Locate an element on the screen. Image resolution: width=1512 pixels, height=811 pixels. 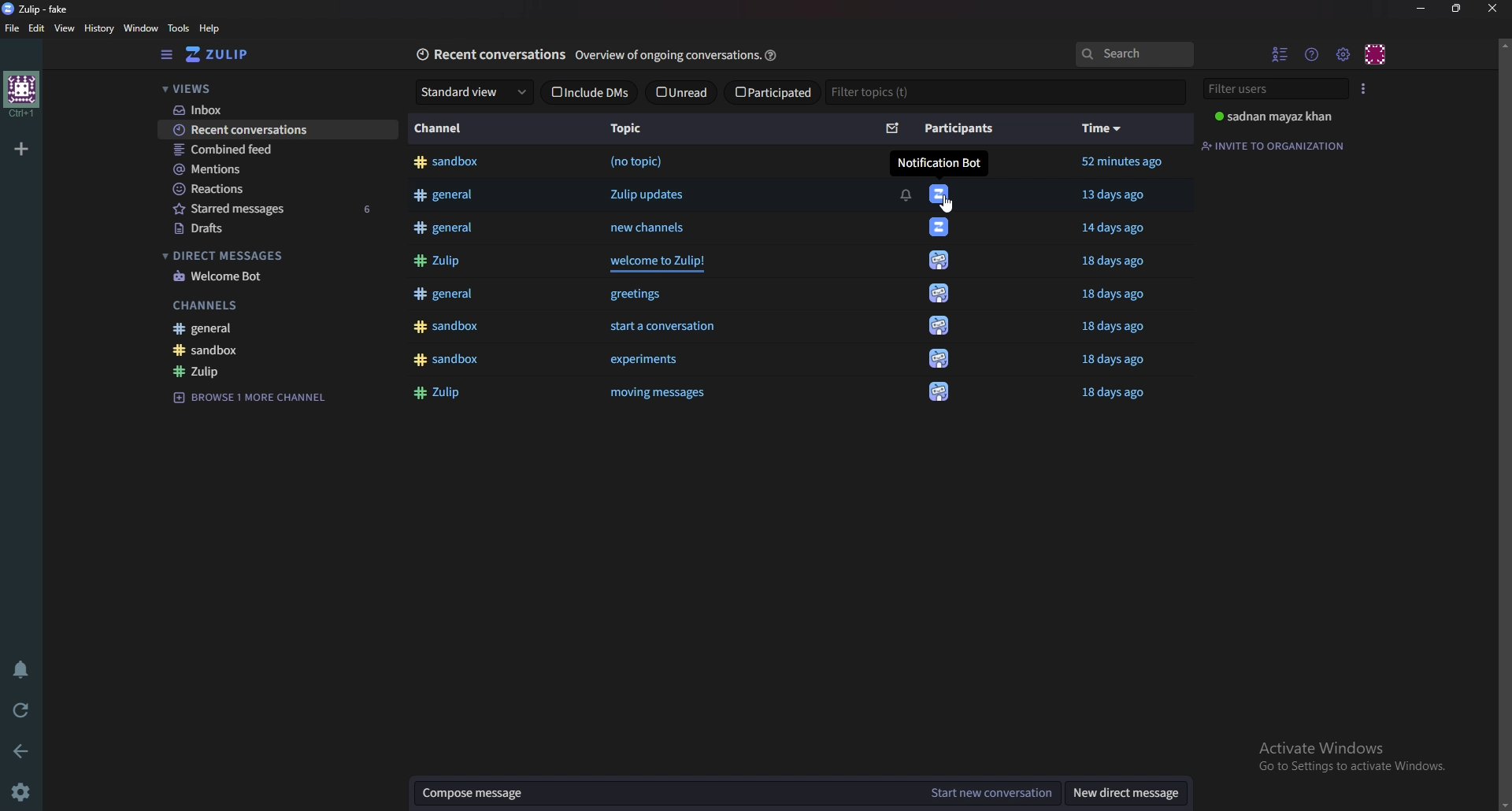
Notification is located at coordinates (905, 195).